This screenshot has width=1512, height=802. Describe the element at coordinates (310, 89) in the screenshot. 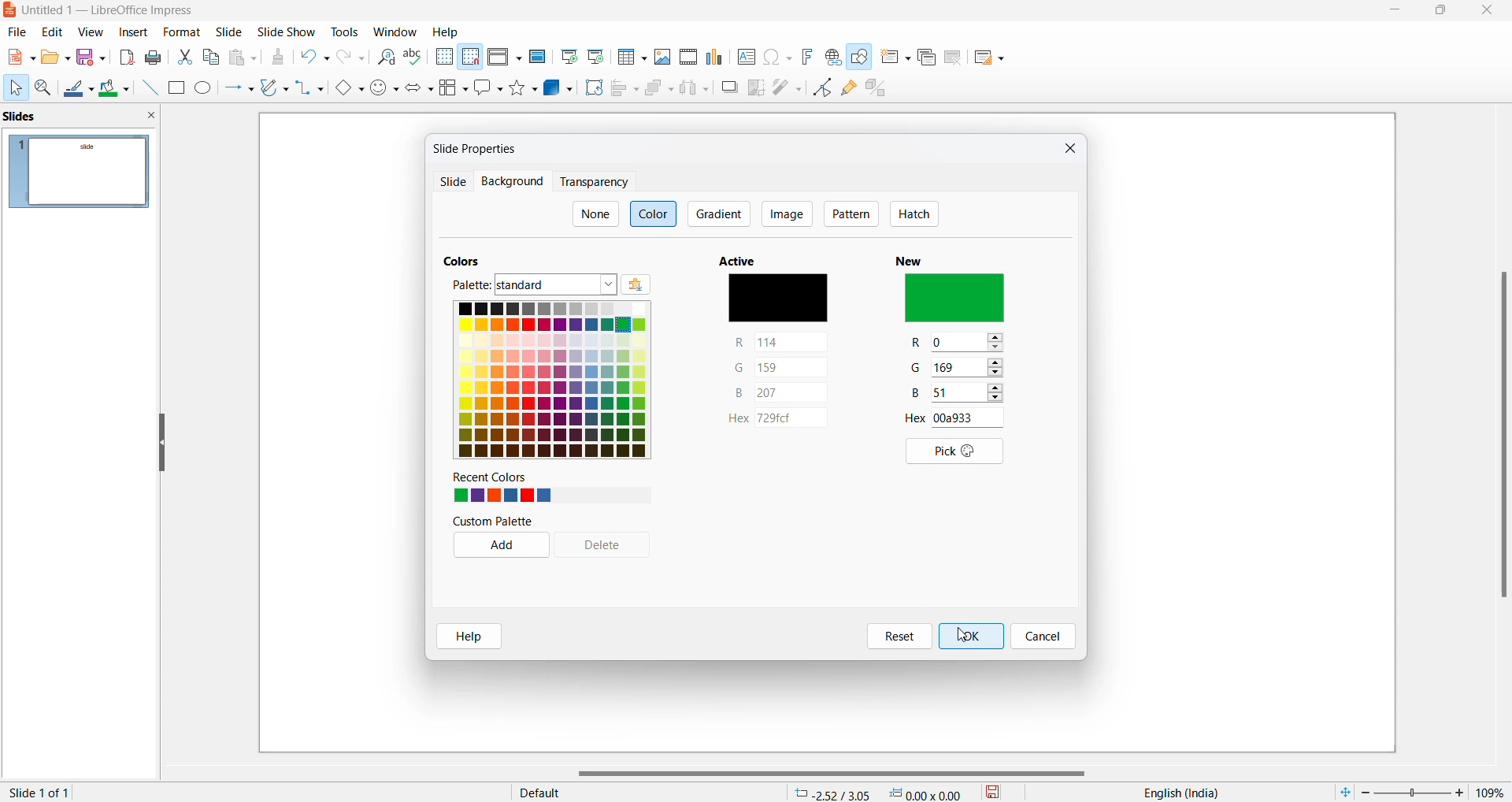

I see `connectors` at that location.